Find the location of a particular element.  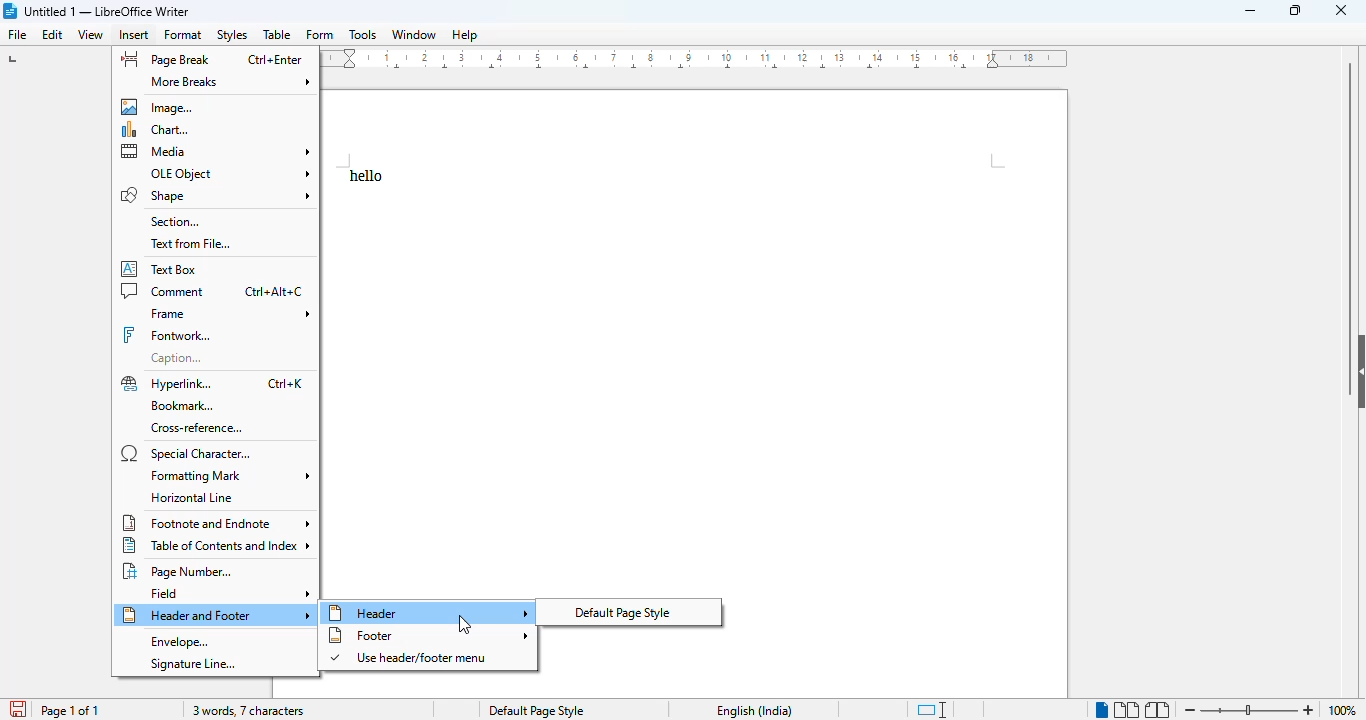

image is located at coordinates (157, 106).